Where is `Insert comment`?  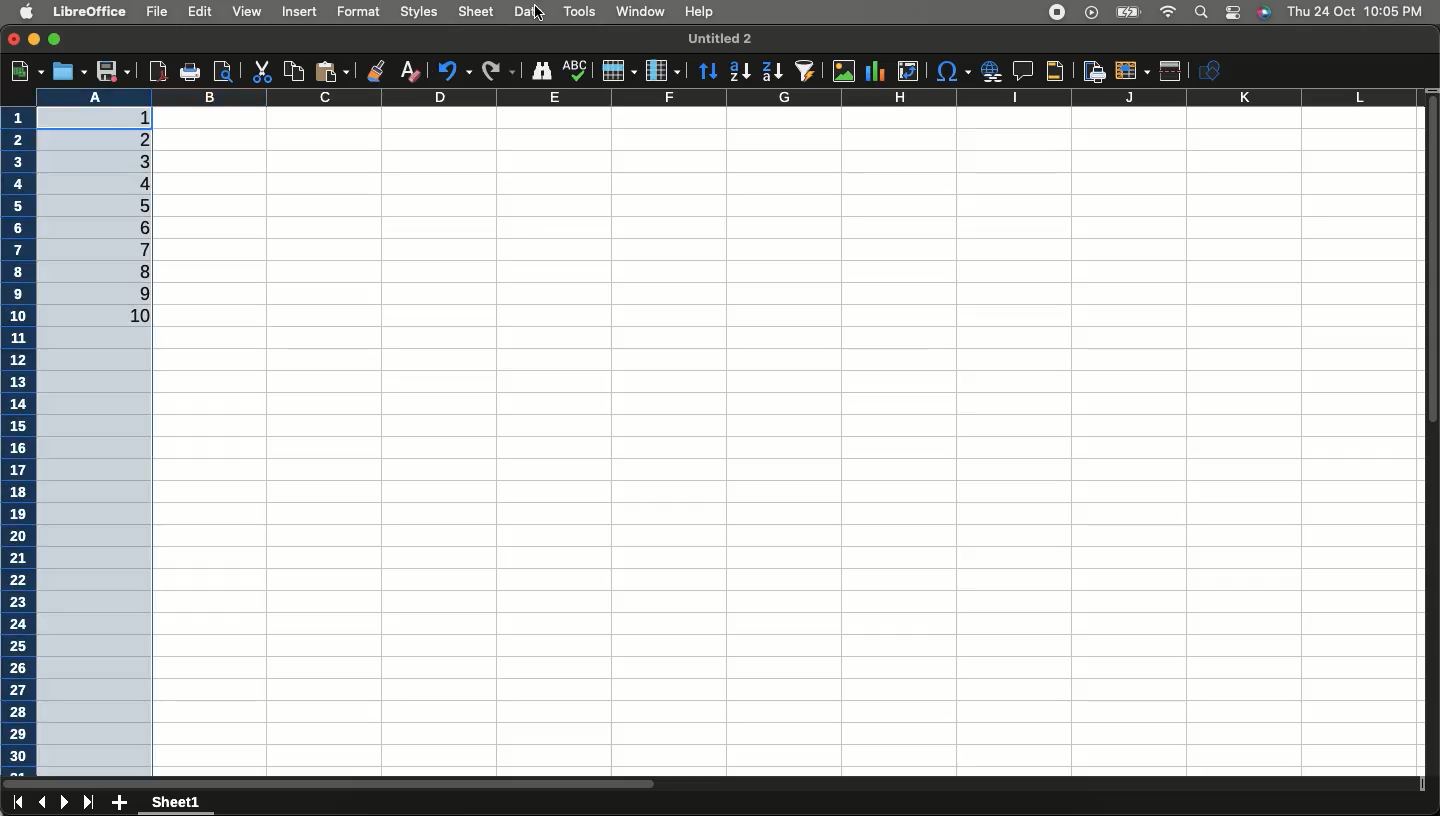
Insert comment is located at coordinates (1019, 71).